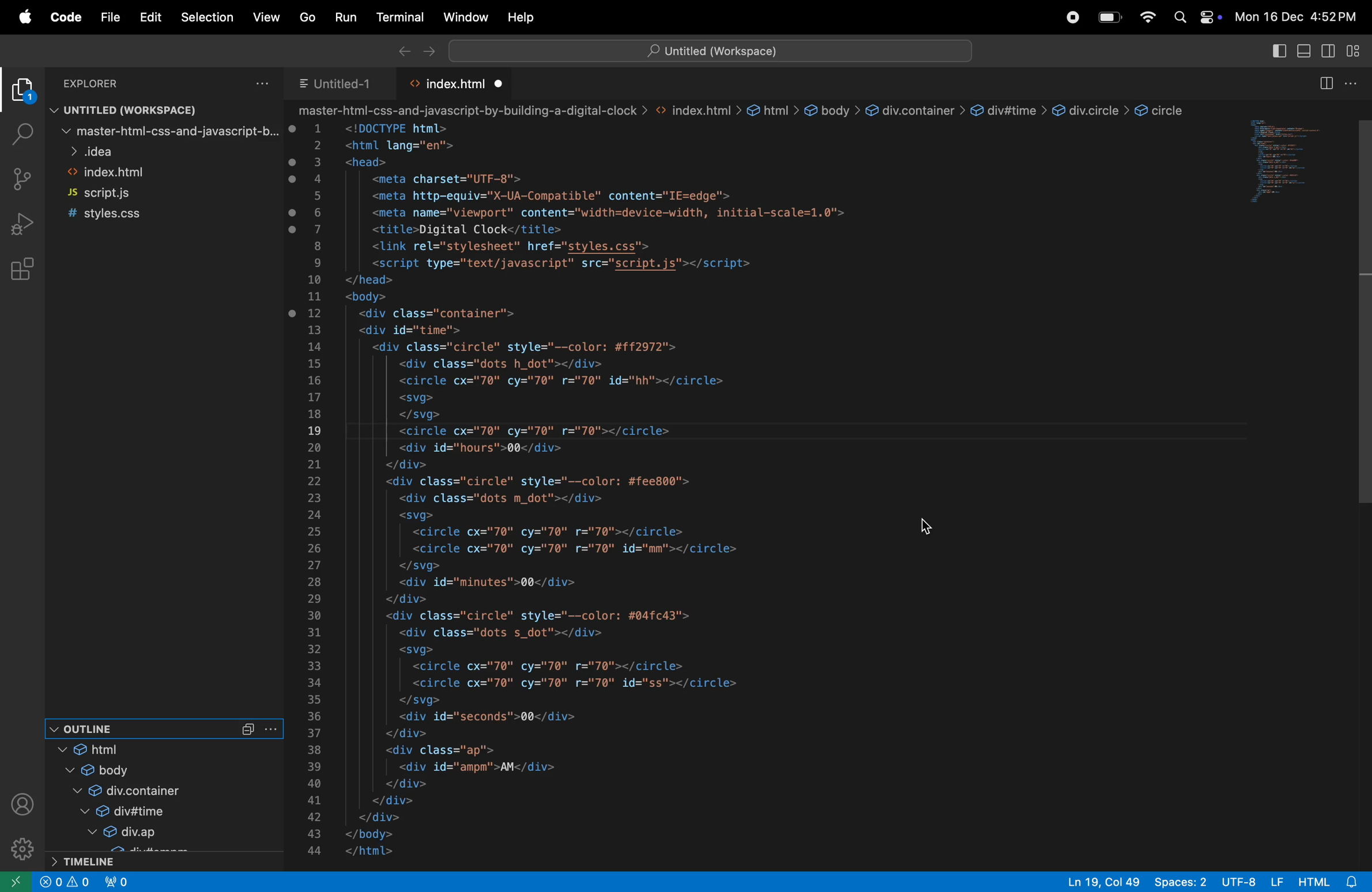 The height and width of the screenshot is (892, 1372). Describe the element at coordinates (144, 17) in the screenshot. I see `Edit` at that location.